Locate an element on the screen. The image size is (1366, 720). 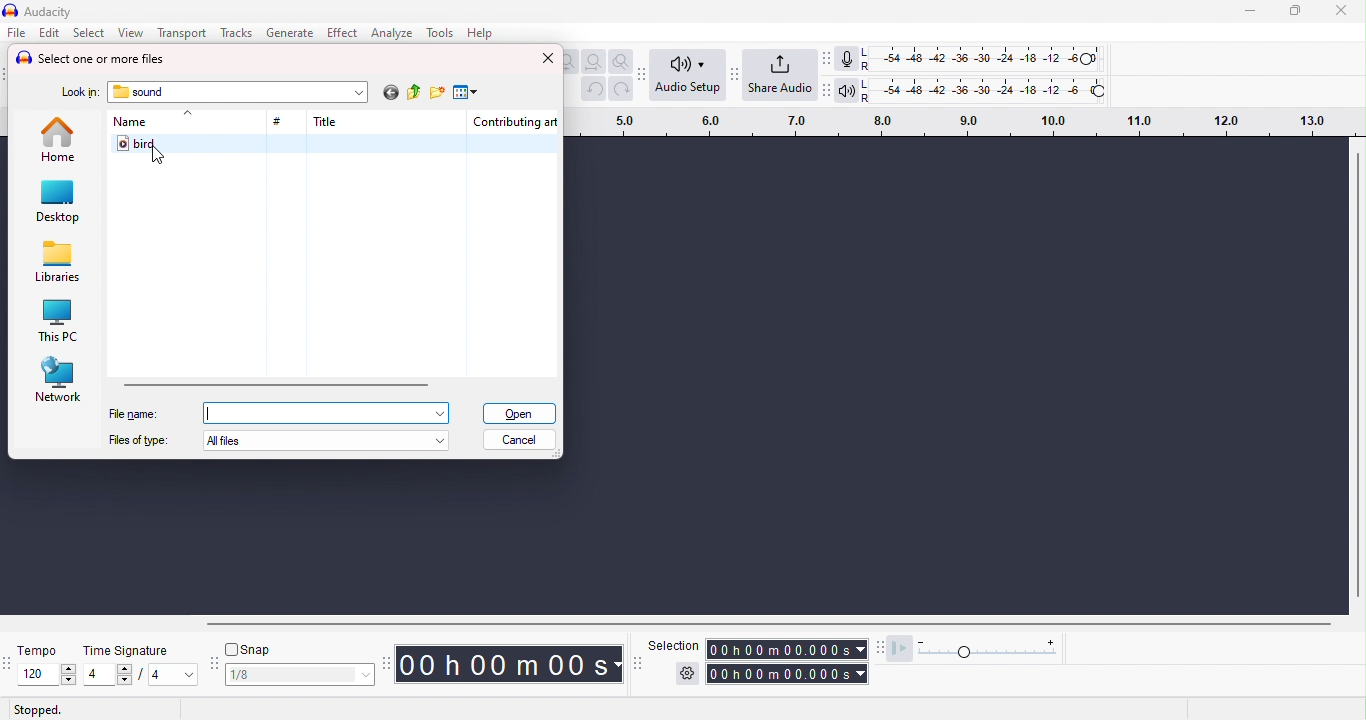
cursor moved is located at coordinates (157, 156).